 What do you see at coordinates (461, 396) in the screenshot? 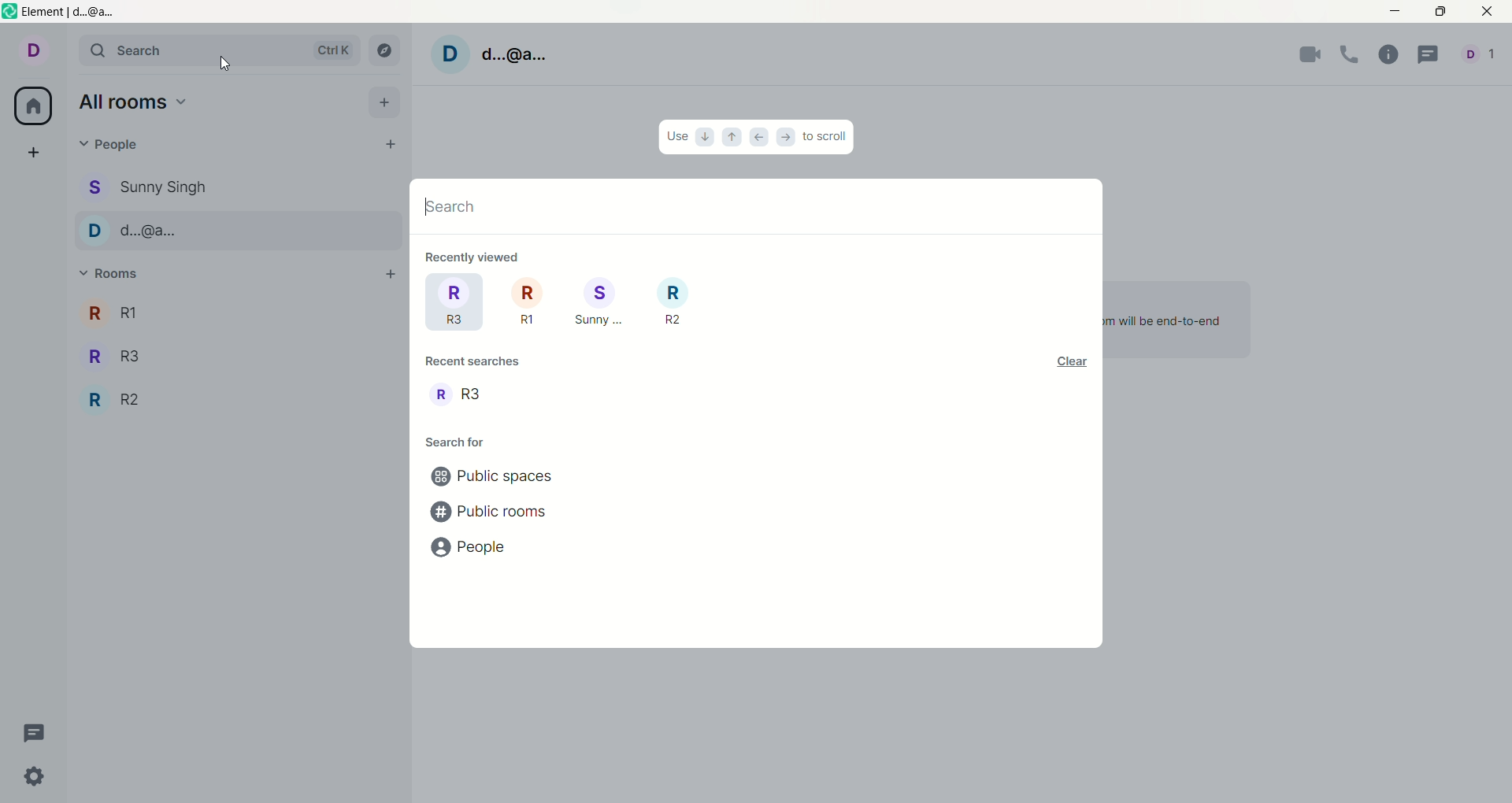
I see `room` at bounding box center [461, 396].